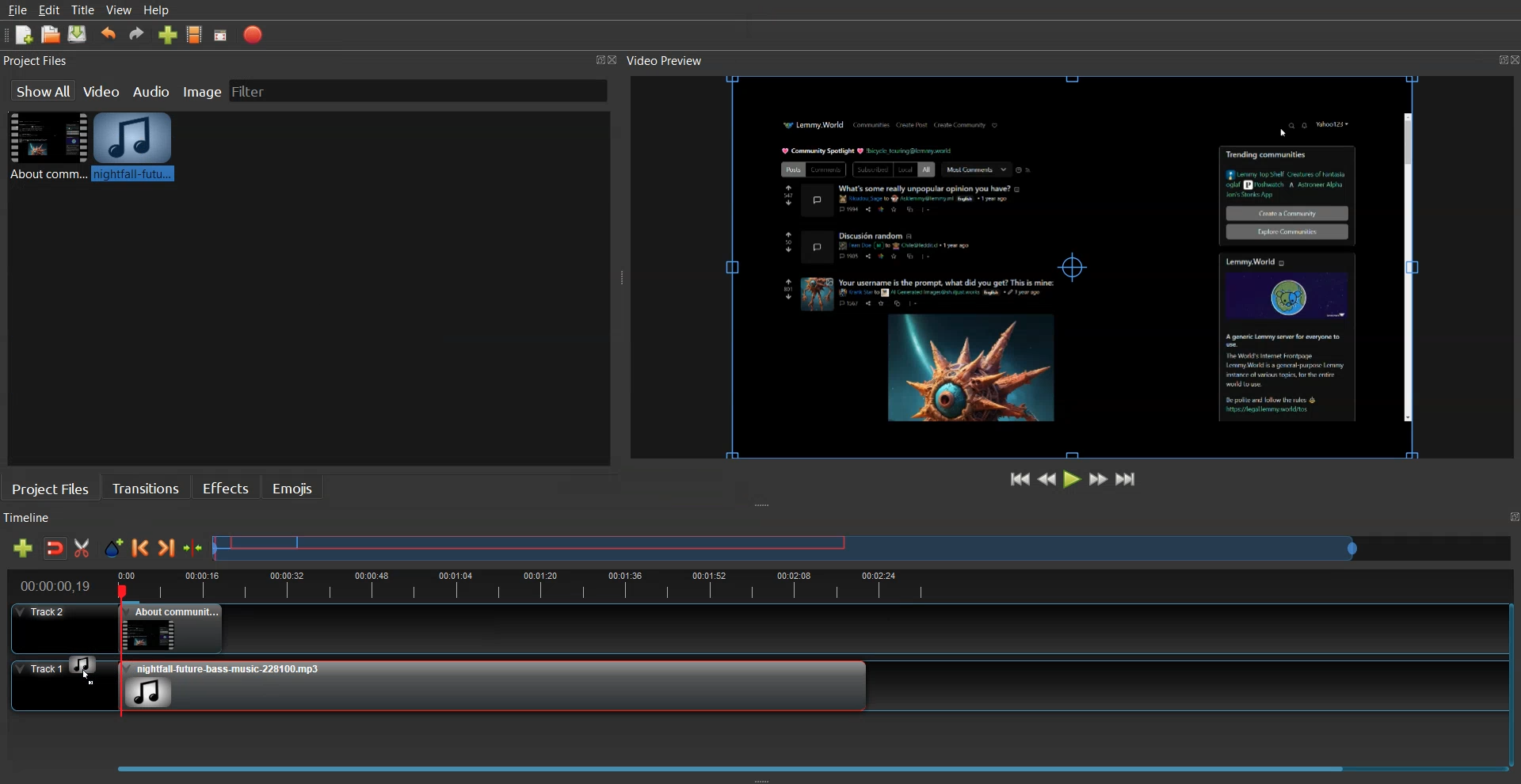 This screenshot has width=1521, height=784. What do you see at coordinates (1511, 678) in the screenshot?
I see `Vertical Scroll Bar` at bounding box center [1511, 678].